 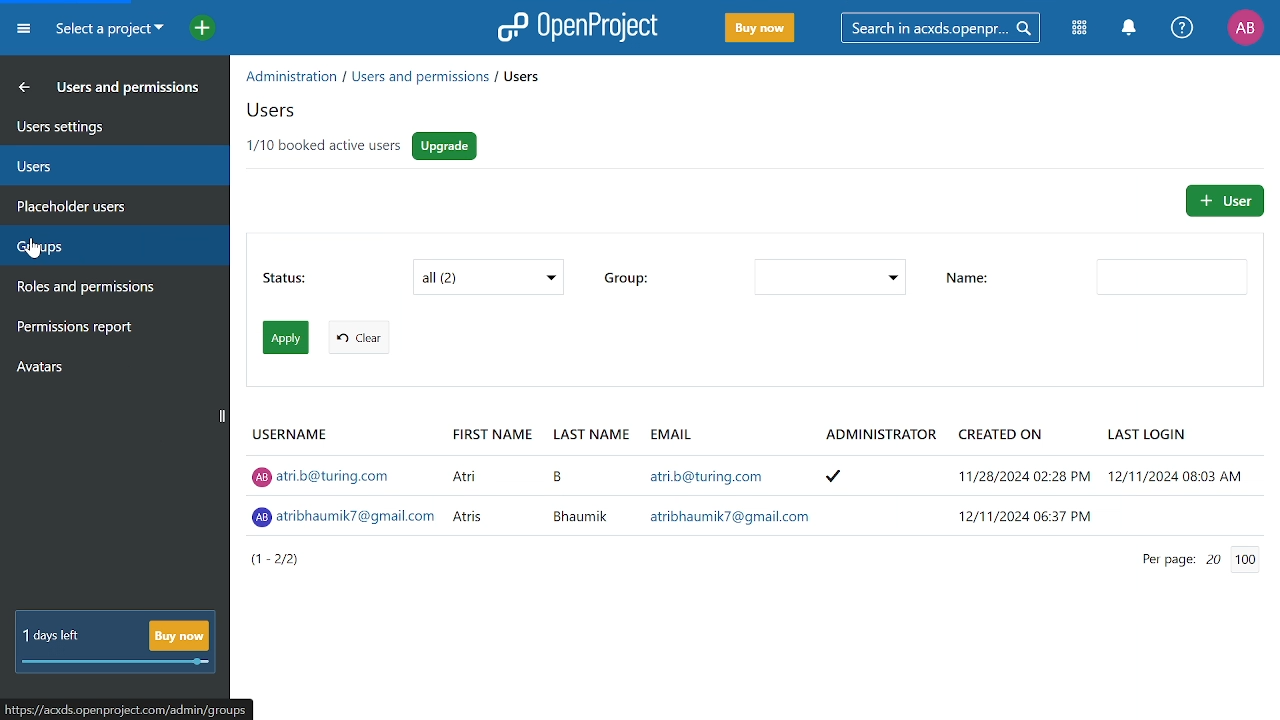 I want to click on Apply, so click(x=288, y=337).